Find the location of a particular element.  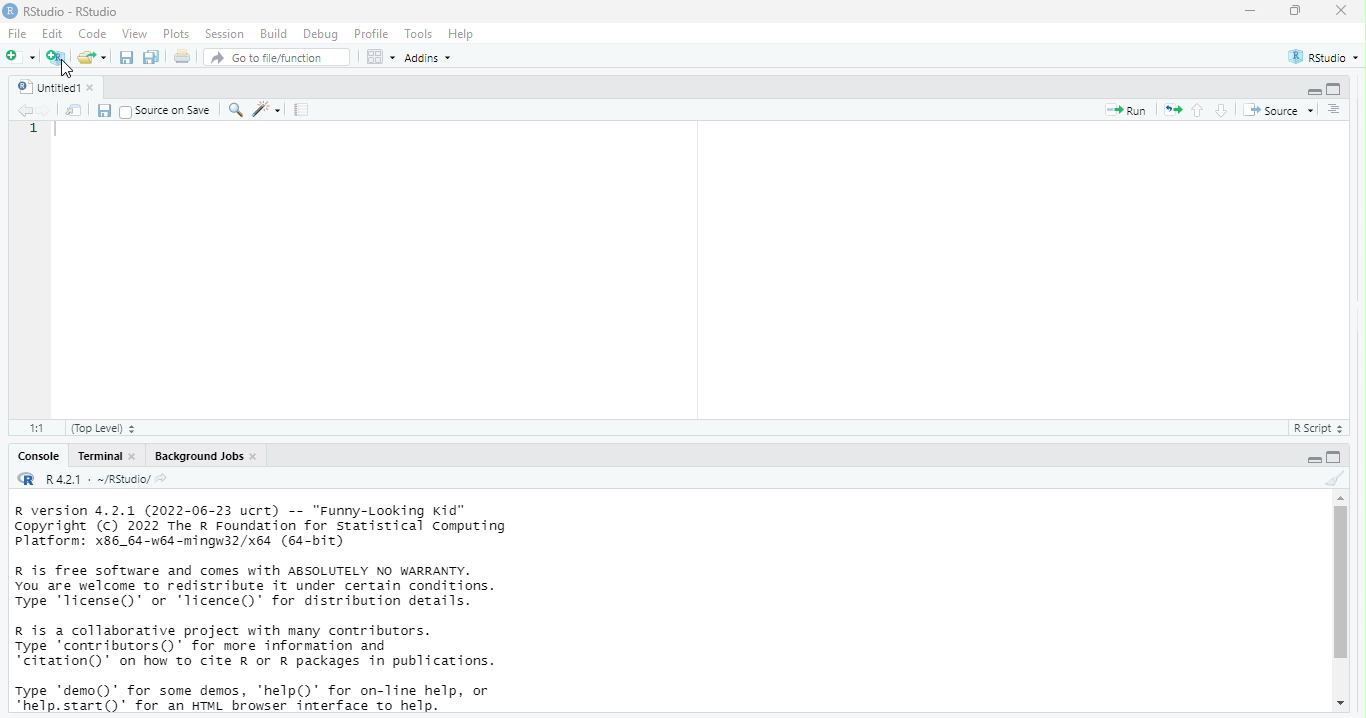

go forward to next source location is located at coordinates (46, 109).